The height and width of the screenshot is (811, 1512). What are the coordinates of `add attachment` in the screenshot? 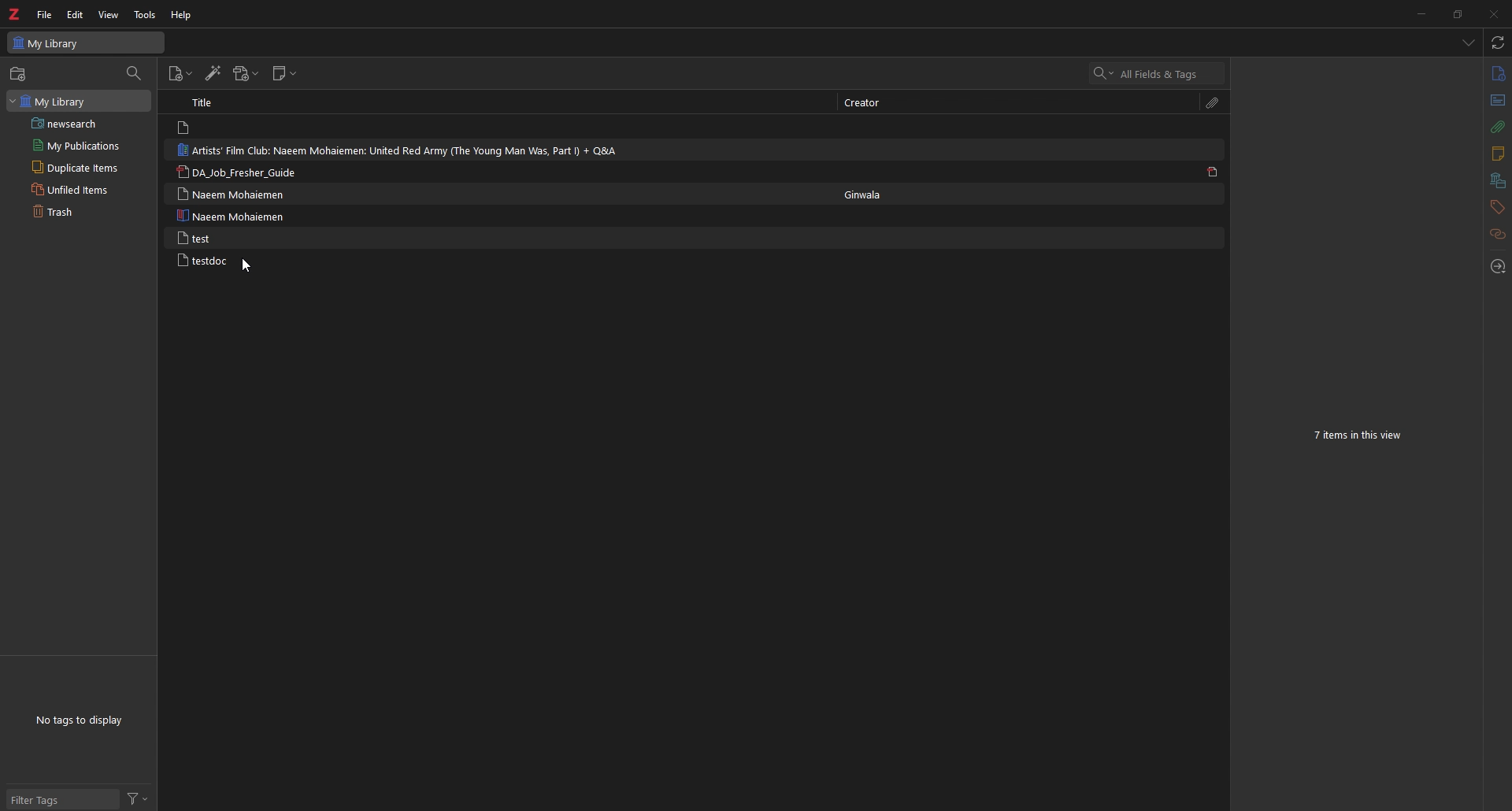 It's located at (247, 73).